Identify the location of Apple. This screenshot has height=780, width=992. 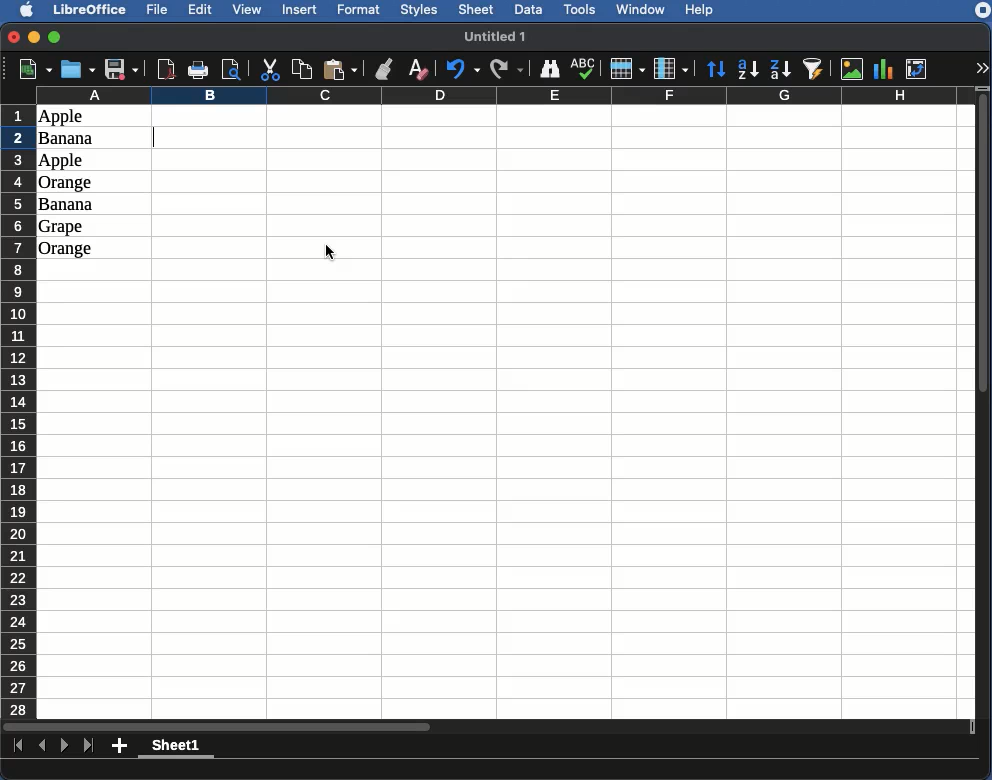
(63, 161).